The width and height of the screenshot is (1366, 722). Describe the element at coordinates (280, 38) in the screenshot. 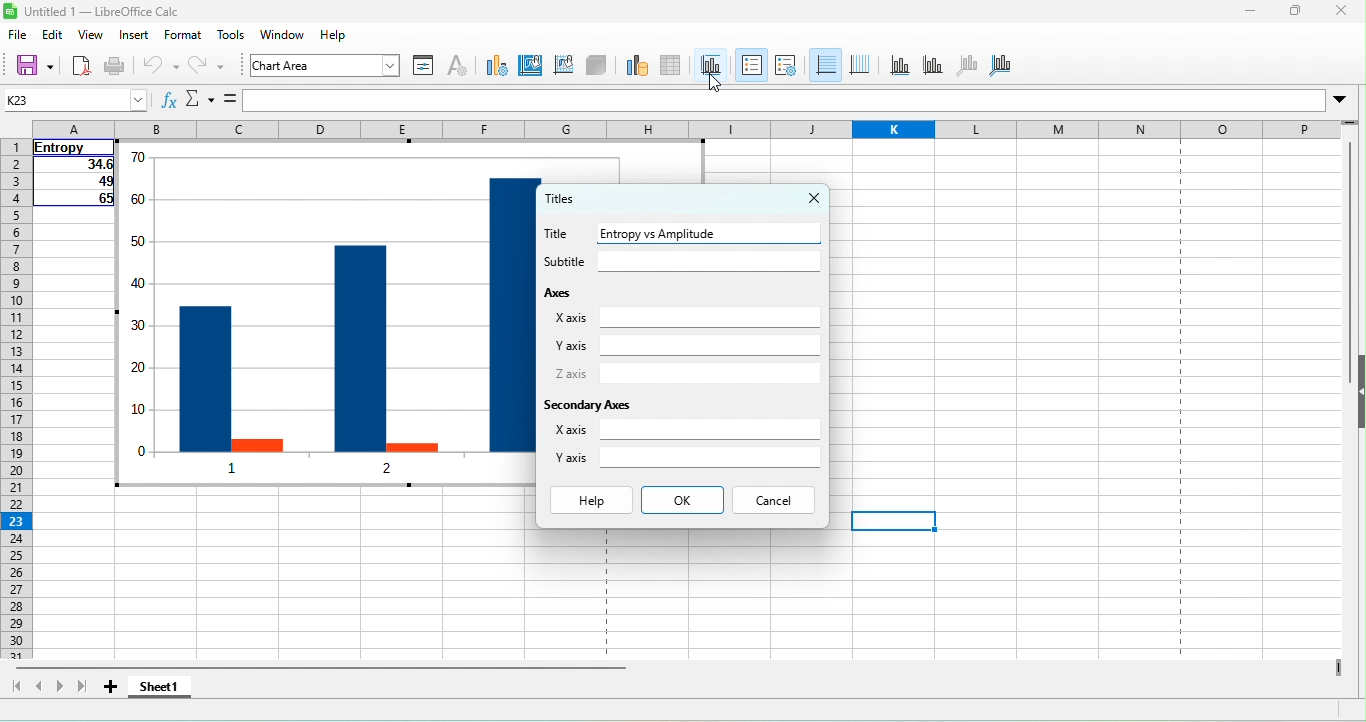

I see `windows` at that location.